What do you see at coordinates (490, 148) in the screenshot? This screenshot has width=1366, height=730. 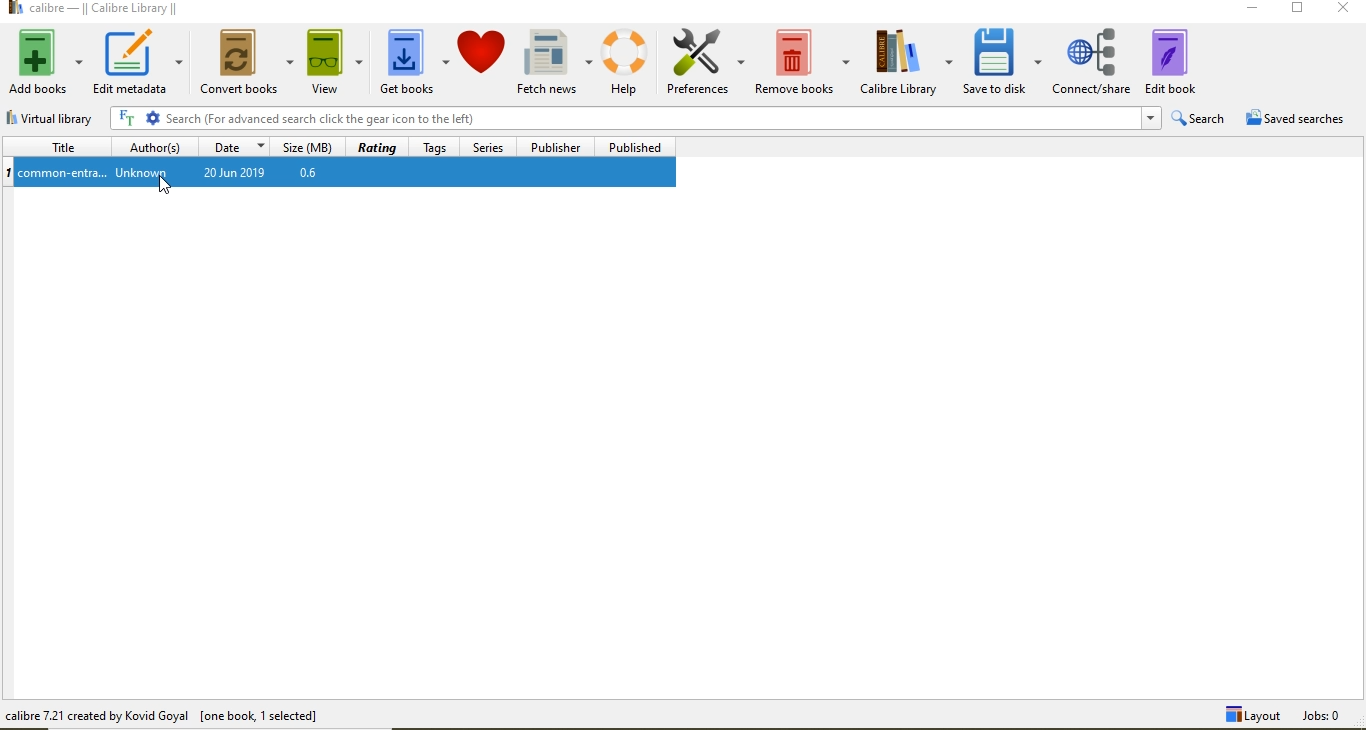 I see `series` at bounding box center [490, 148].